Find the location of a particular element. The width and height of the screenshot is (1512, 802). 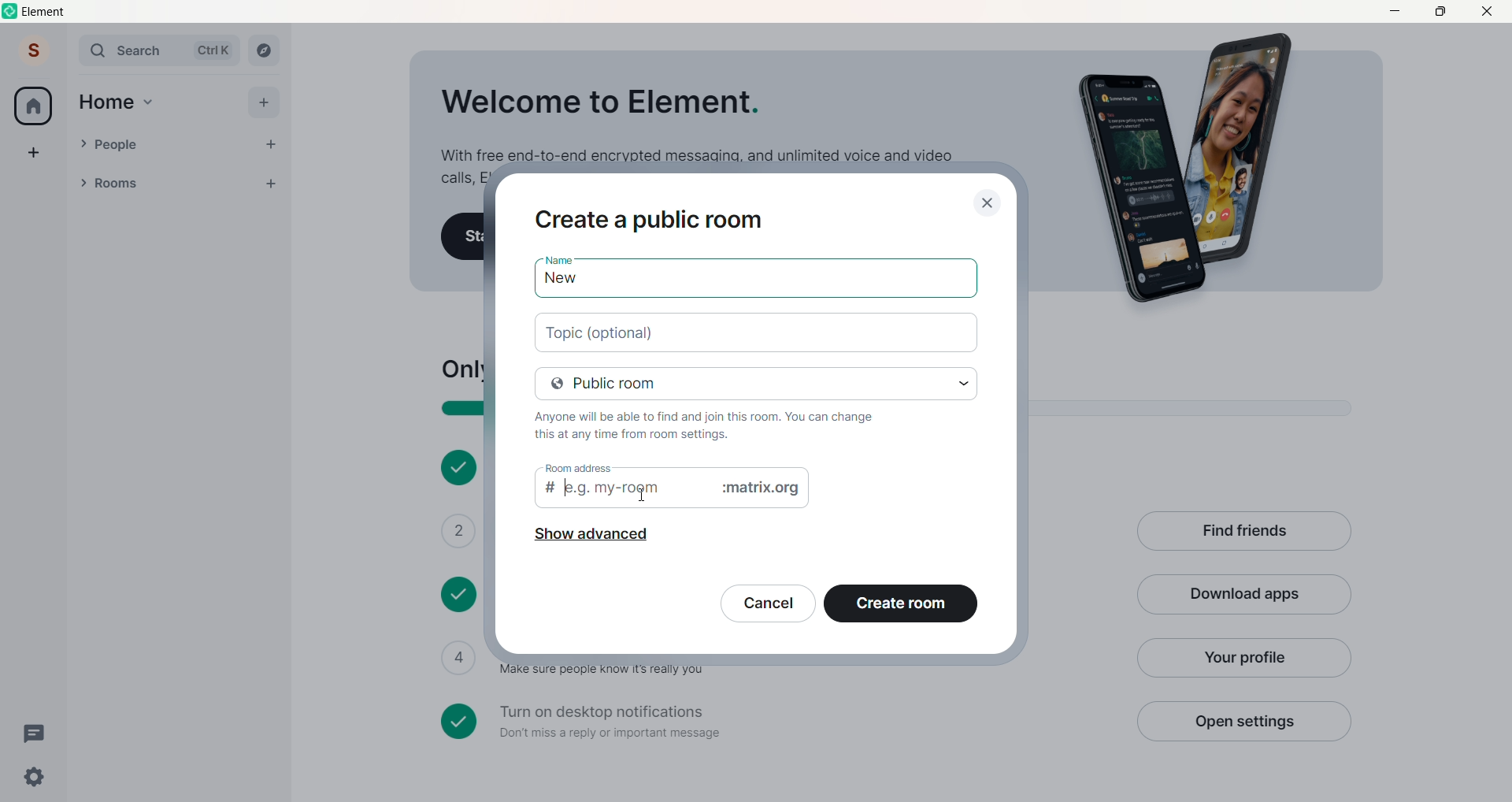

Element is located at coordinates (46, 12).